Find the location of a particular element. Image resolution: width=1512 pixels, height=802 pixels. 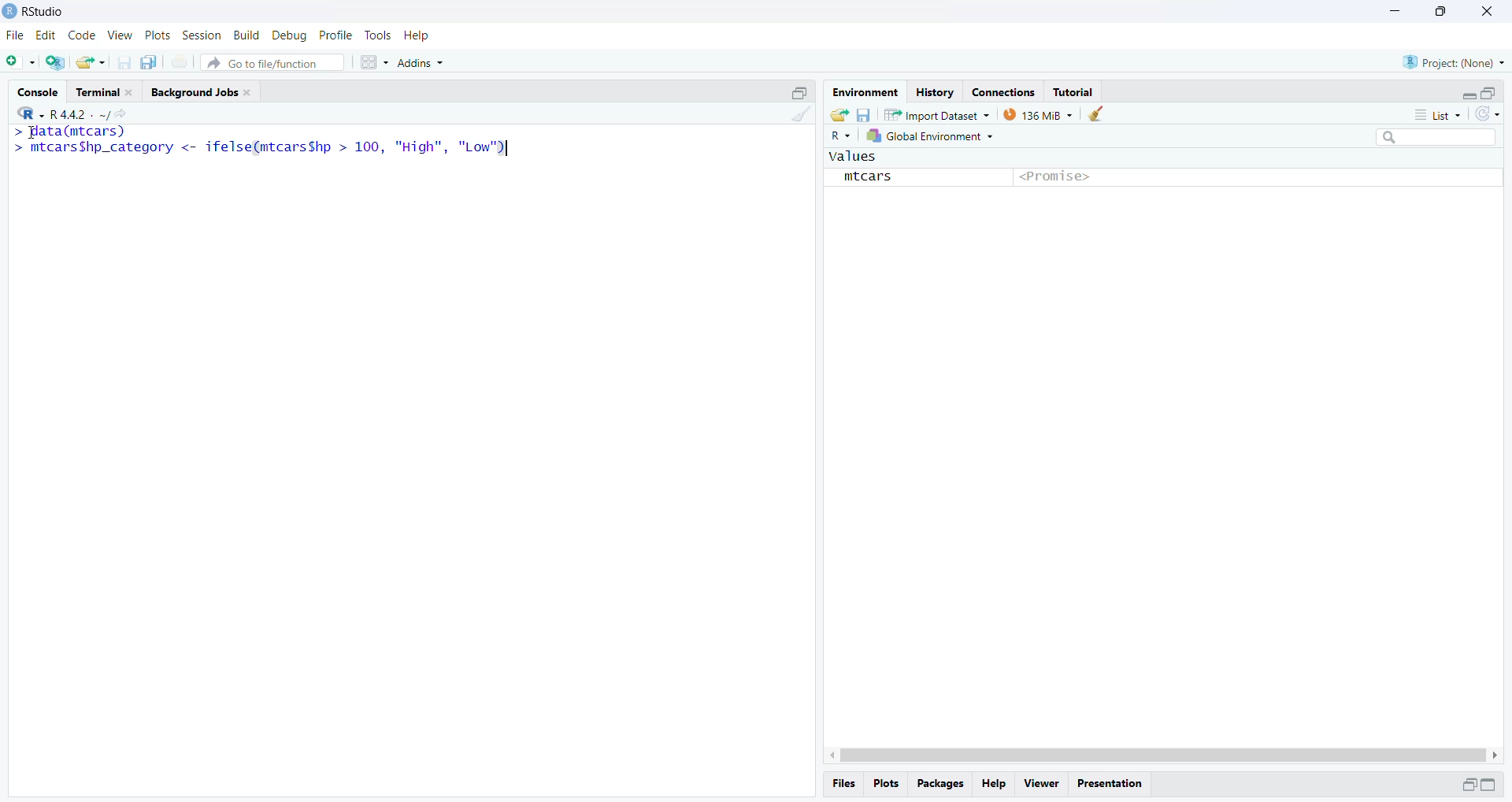

Load workspace is located at coordinates (837, 114).